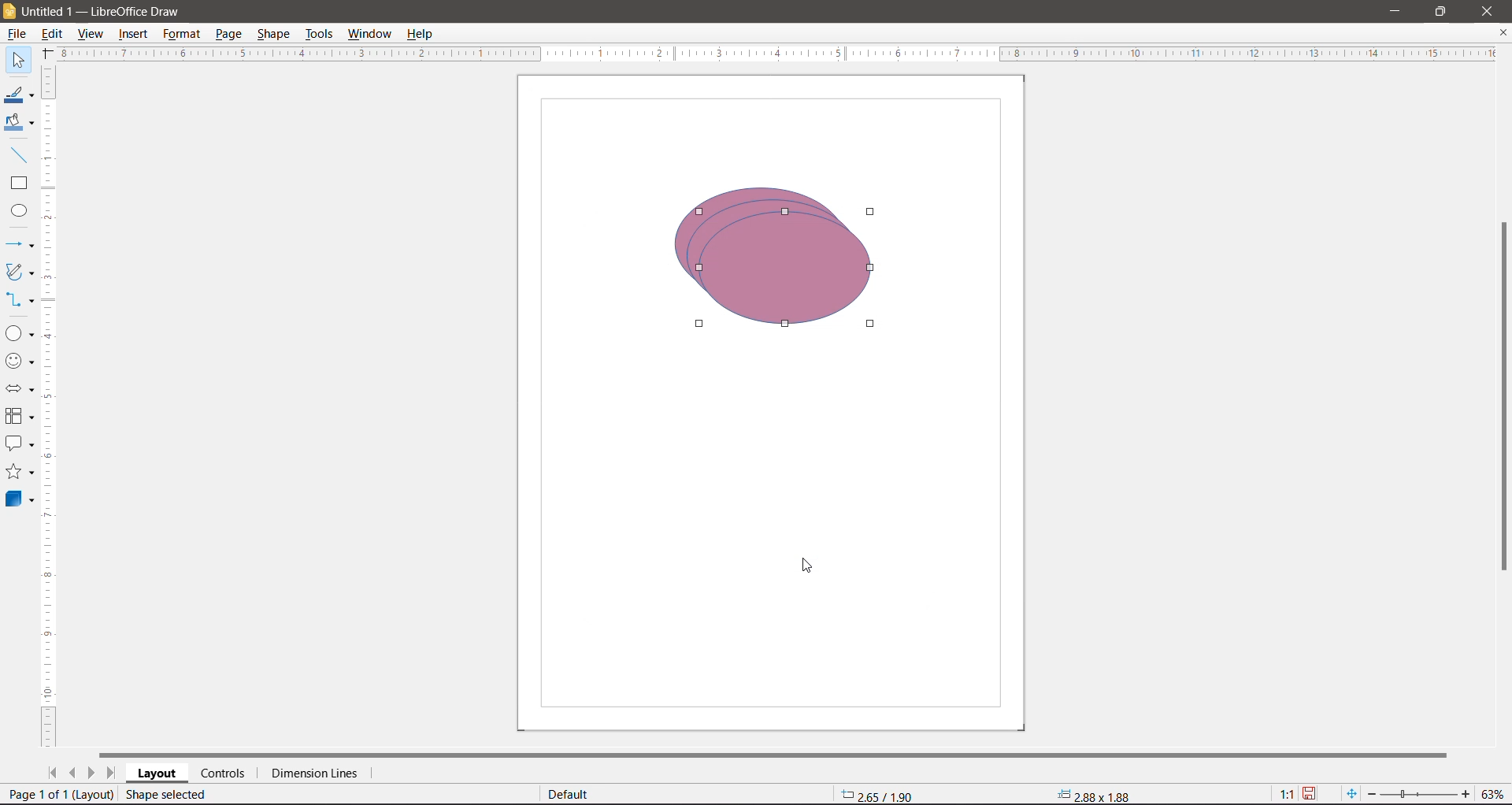 The height and width of the screenshot is (805, 1512). I want to click on Application Logo, so click(9, 10).